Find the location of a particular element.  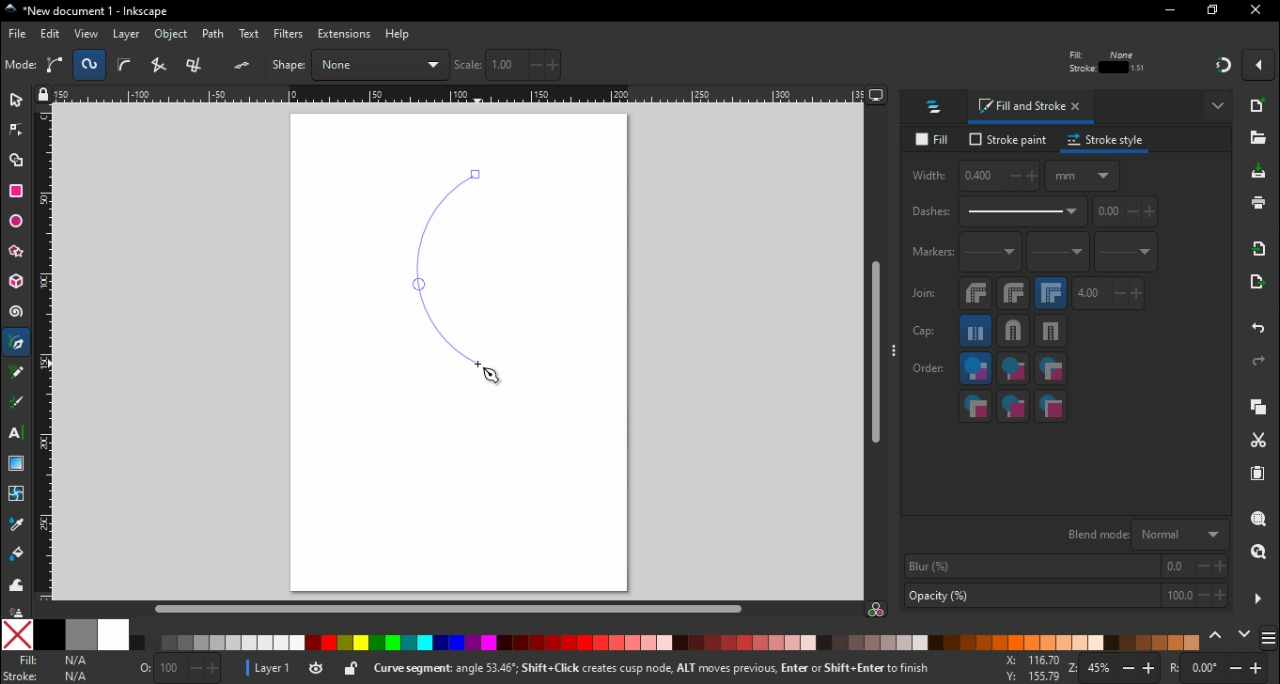

fill is located at coordinates (932, 139).